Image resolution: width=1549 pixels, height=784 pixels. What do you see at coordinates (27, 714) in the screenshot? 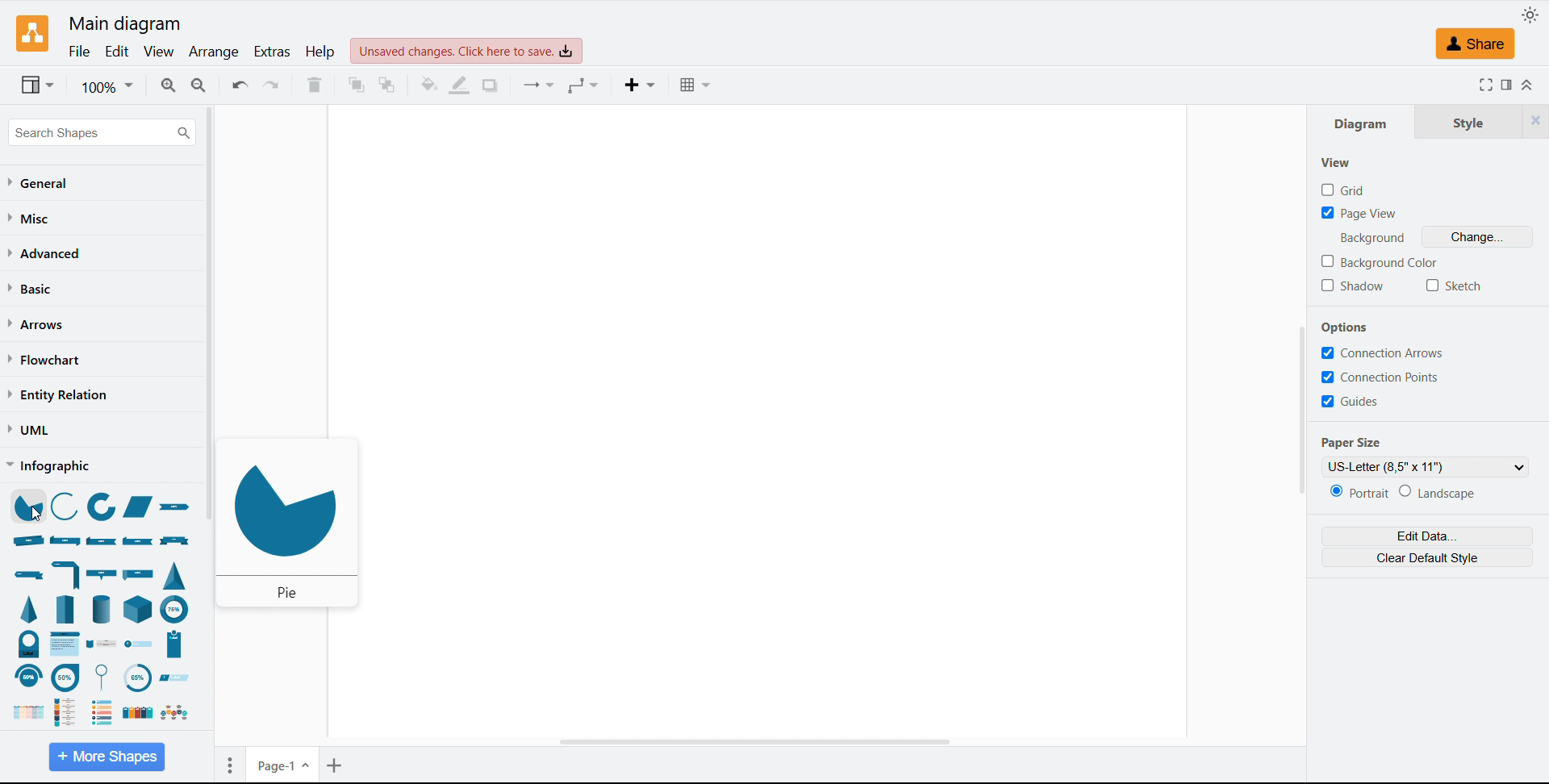
I see `chevron list` at bounding box center [27, 714].